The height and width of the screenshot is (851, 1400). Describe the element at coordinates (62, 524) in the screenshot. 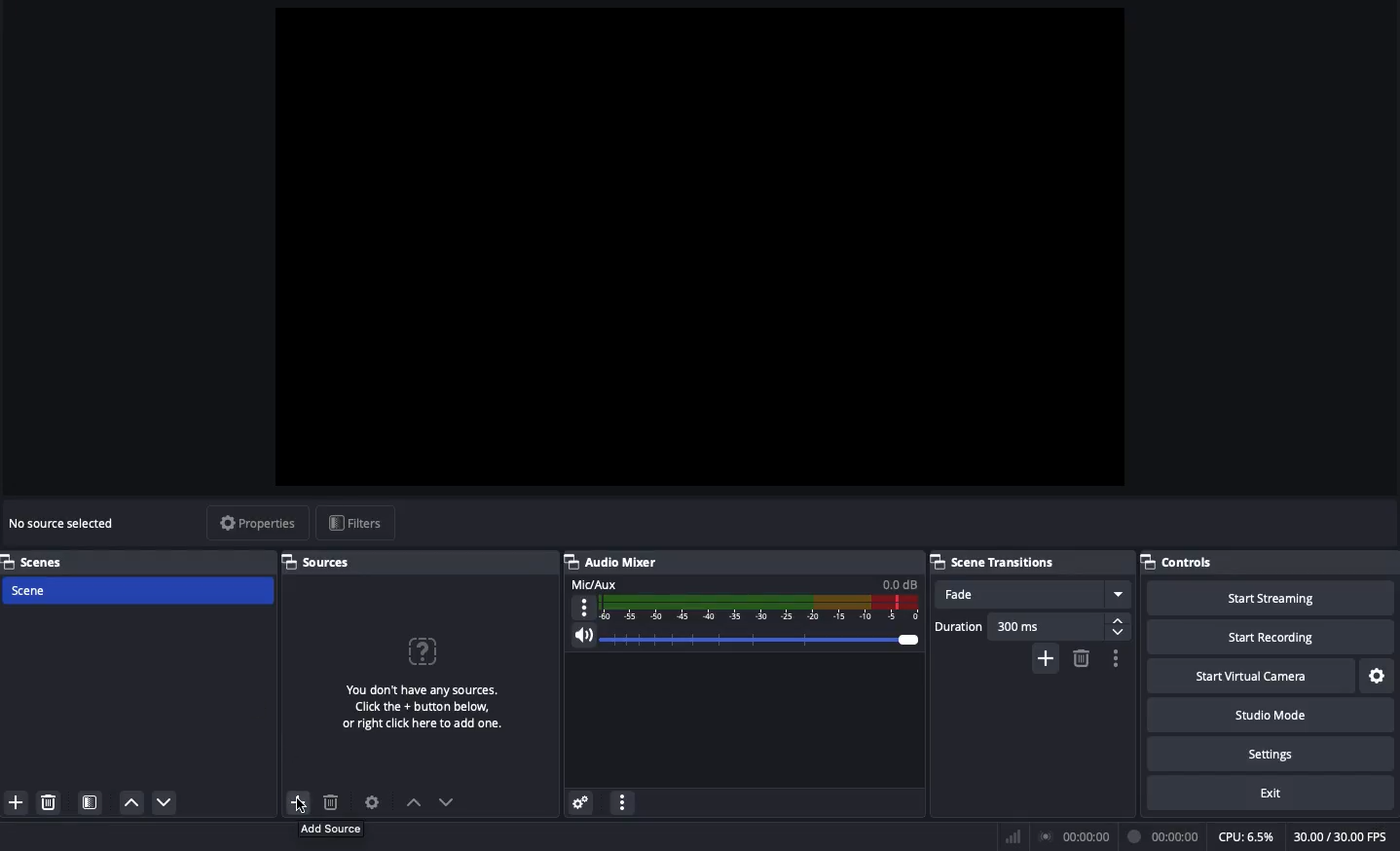

I see `No source selected` at that location.